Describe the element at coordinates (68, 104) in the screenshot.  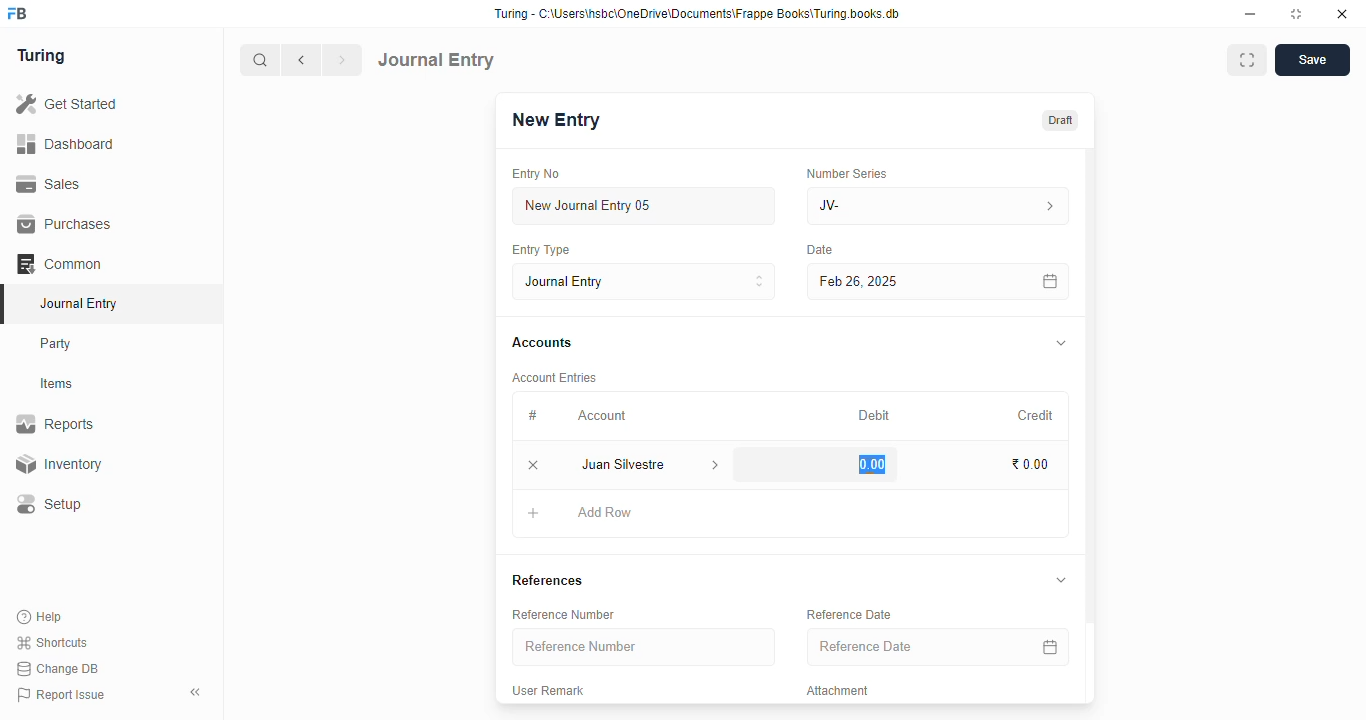
I see `get started` at that location.